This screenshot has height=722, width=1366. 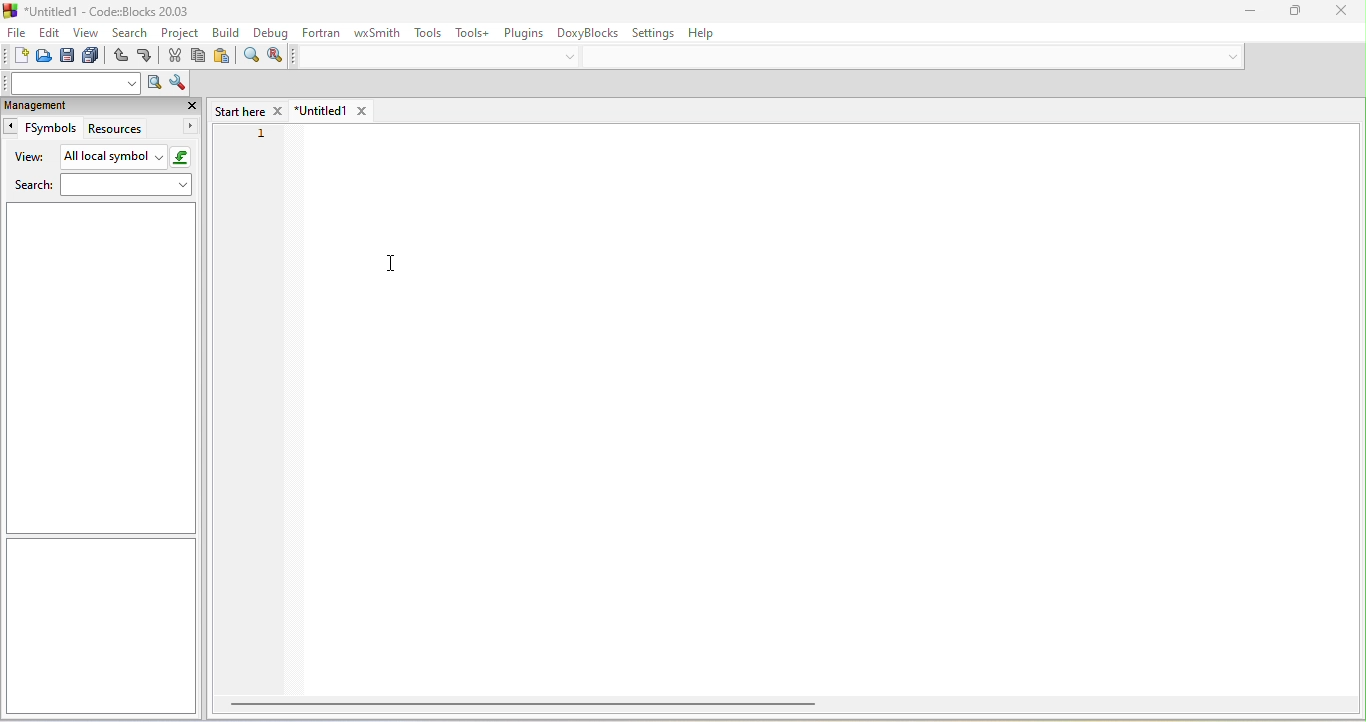 I want to click on show option window, so click(x=178, y=84).